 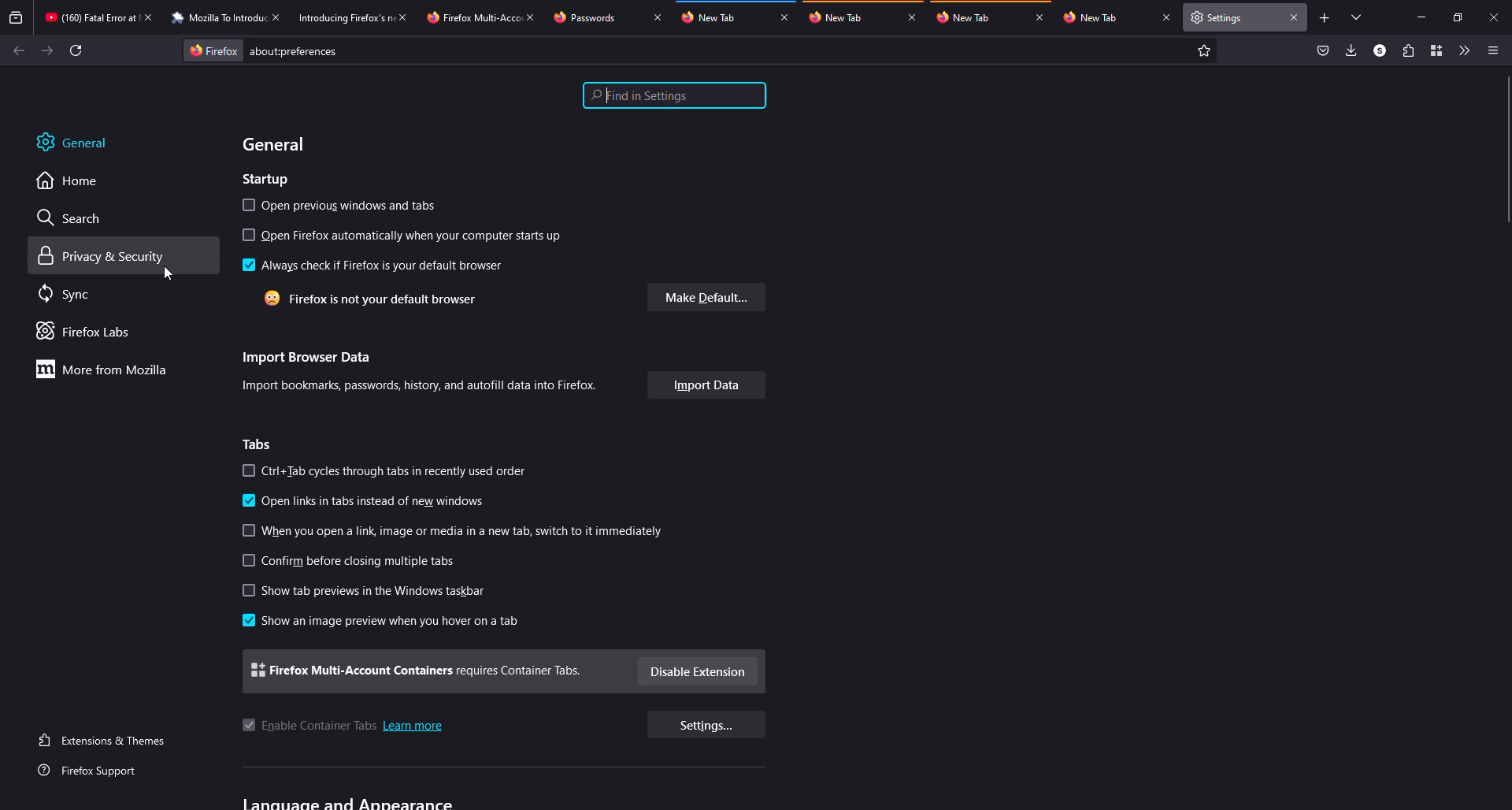 What do you see at coordinates (246, 561) in the screenshot?
I see `select` at bounding box center [246, 561].